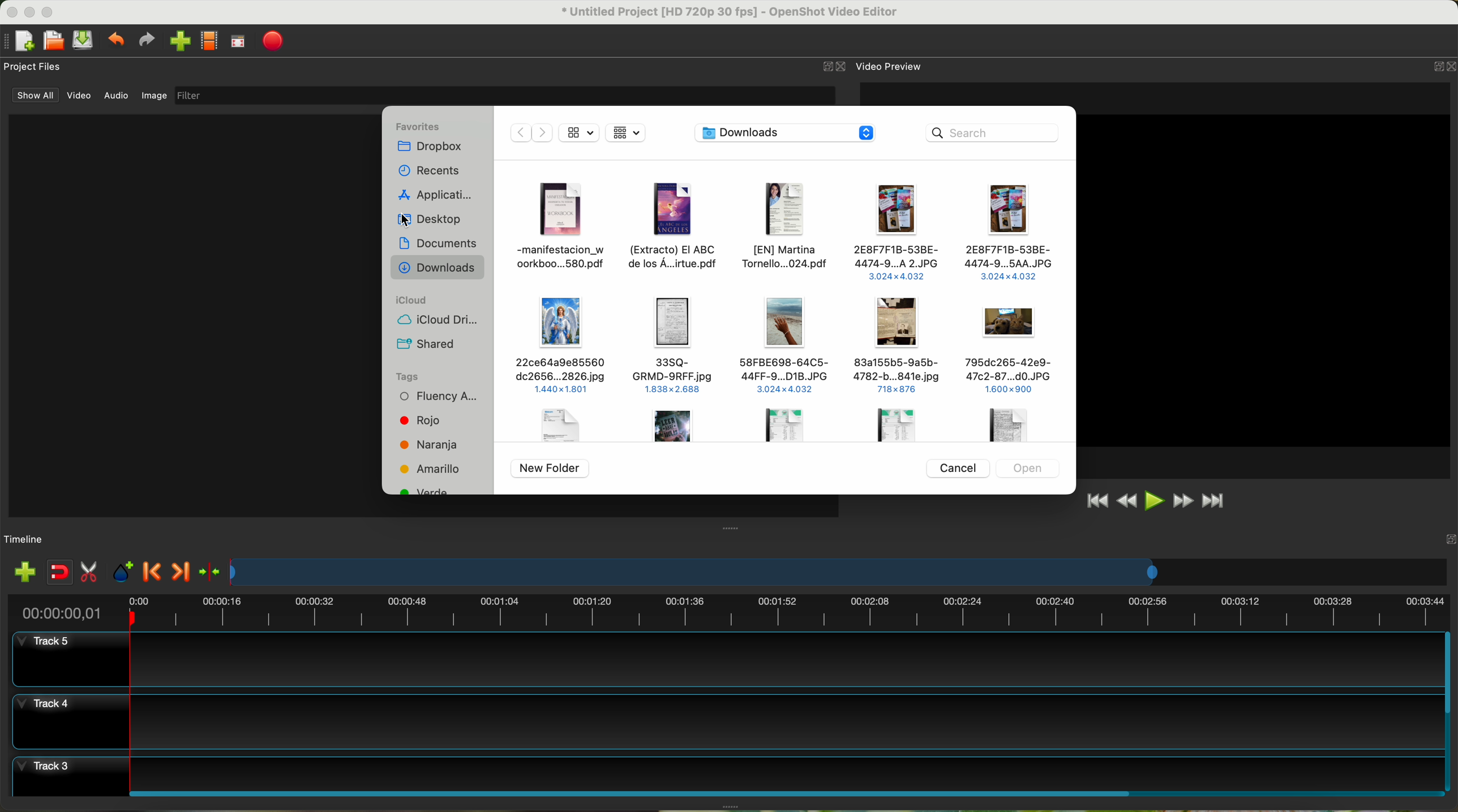 Image resolution: width=1458 pixels, height=812 pixels. Describe the element at coordinates (1010, 233) in the screenshot. I see `file` at that location.